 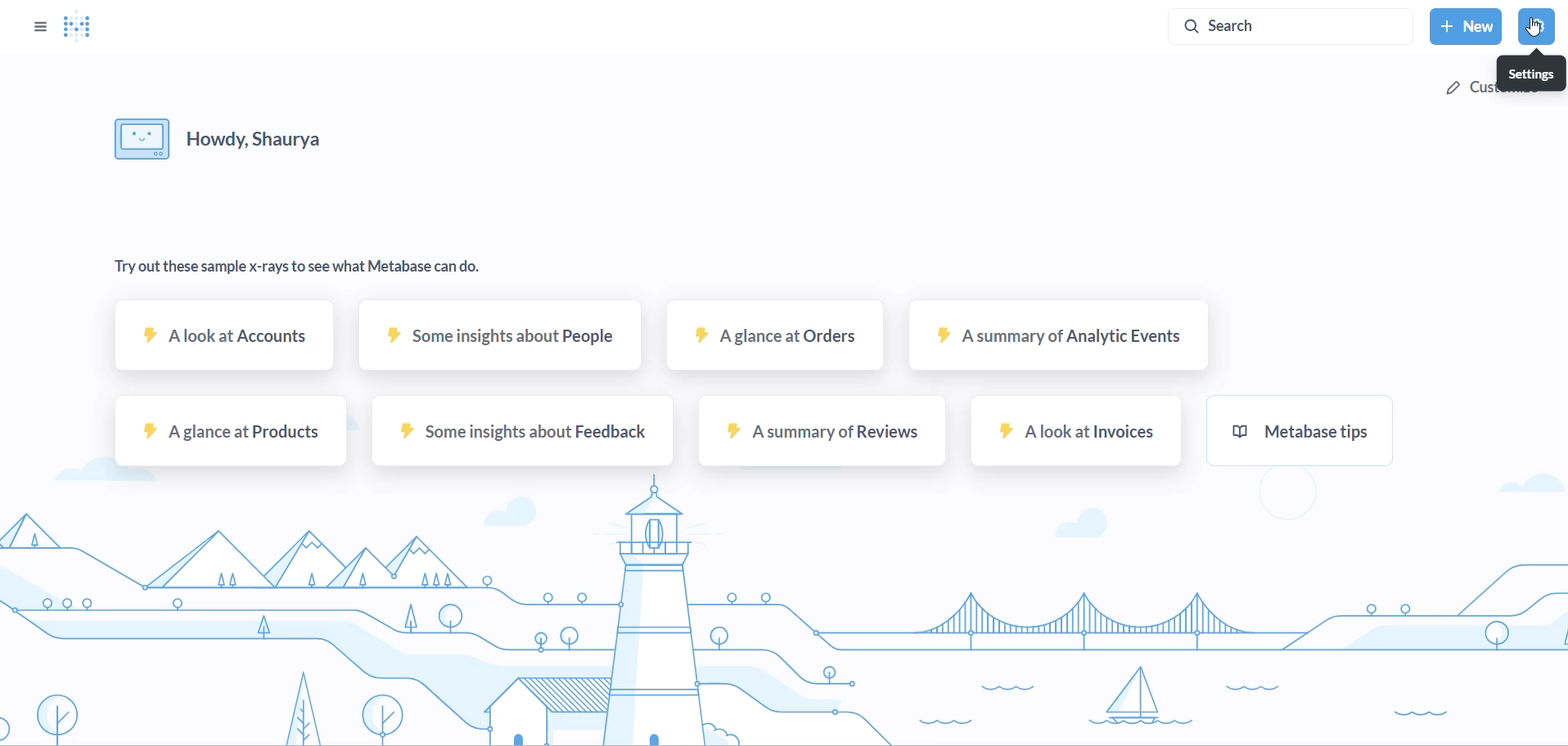 I want to click on HELLO MESSAGE, so click(x=250, y=138).